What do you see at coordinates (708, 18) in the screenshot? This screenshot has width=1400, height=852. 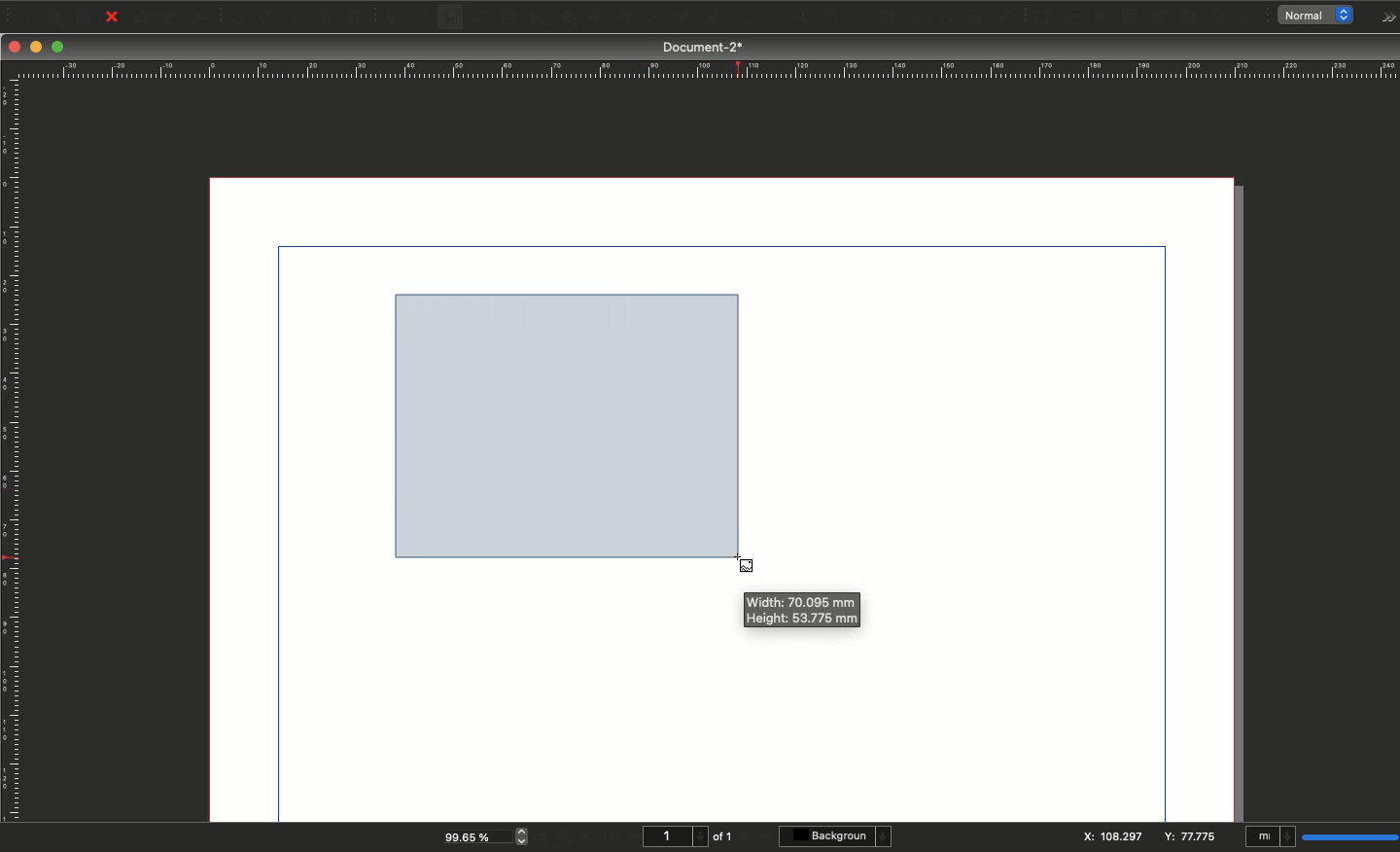 I see `Freehand line` at bounding box center [708, 18].